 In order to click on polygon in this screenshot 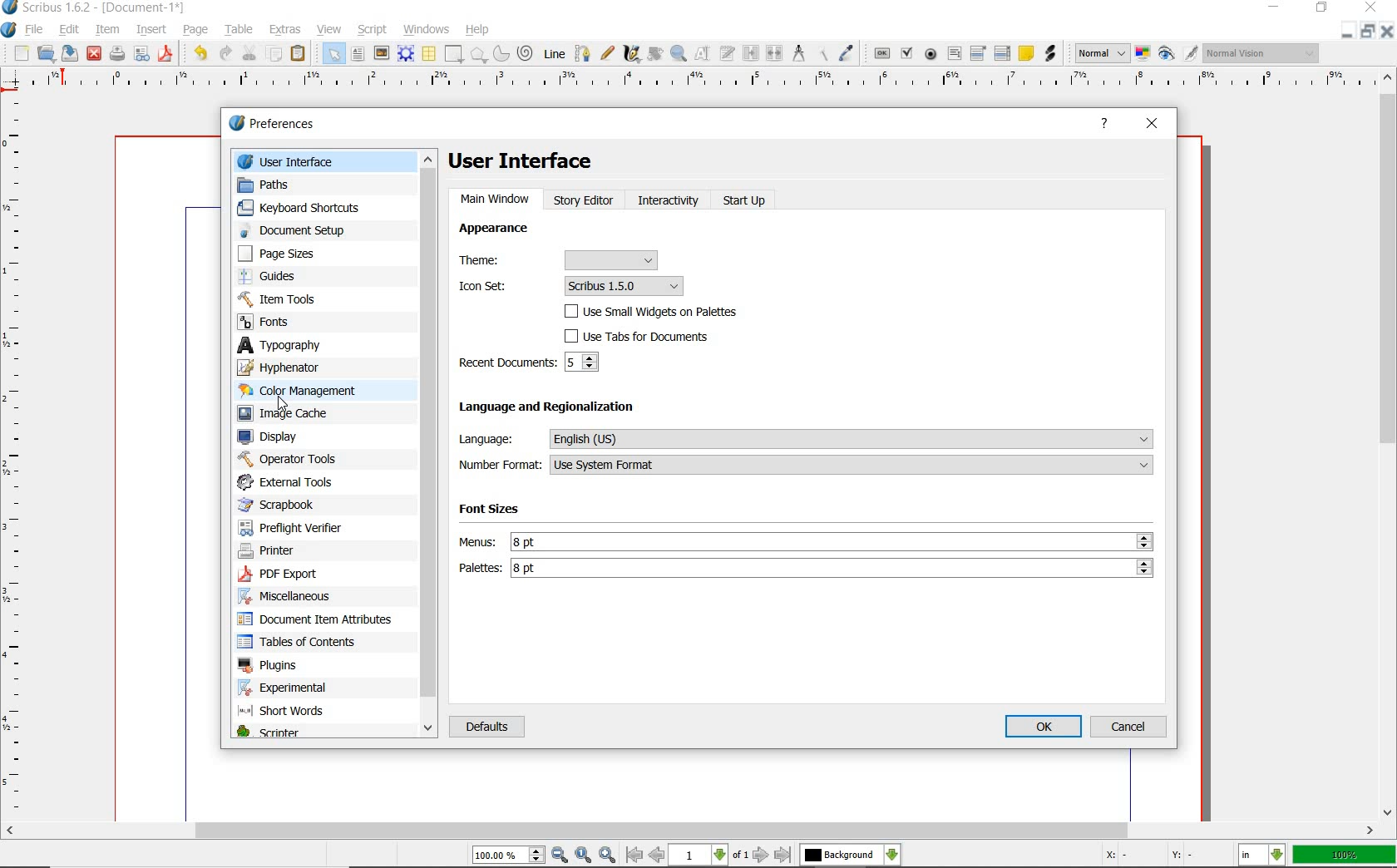, I will do `click(479, 55)`.